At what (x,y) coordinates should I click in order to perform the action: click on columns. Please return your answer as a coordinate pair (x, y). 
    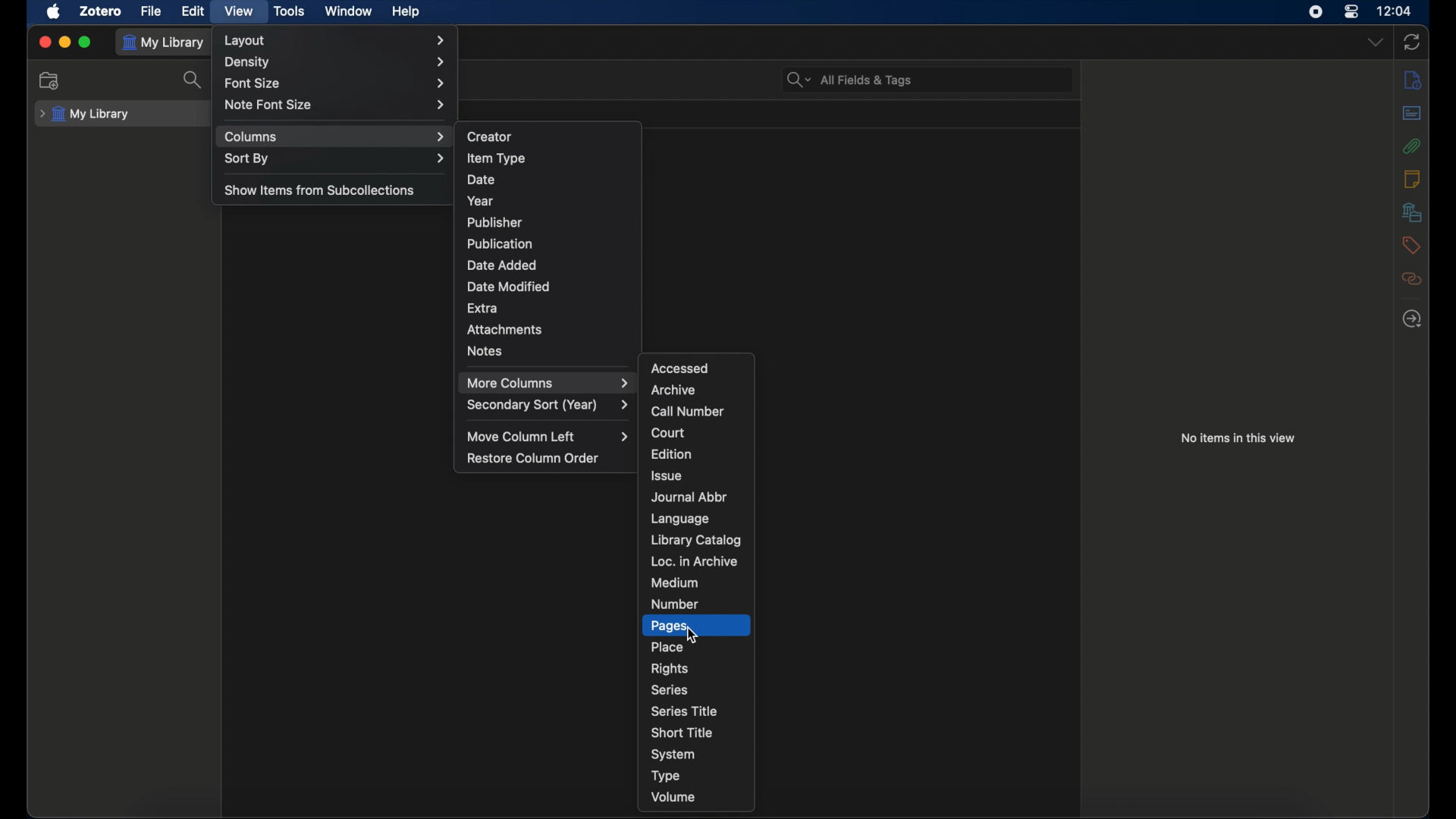
    Looking at the image, I should click on (335, 136).